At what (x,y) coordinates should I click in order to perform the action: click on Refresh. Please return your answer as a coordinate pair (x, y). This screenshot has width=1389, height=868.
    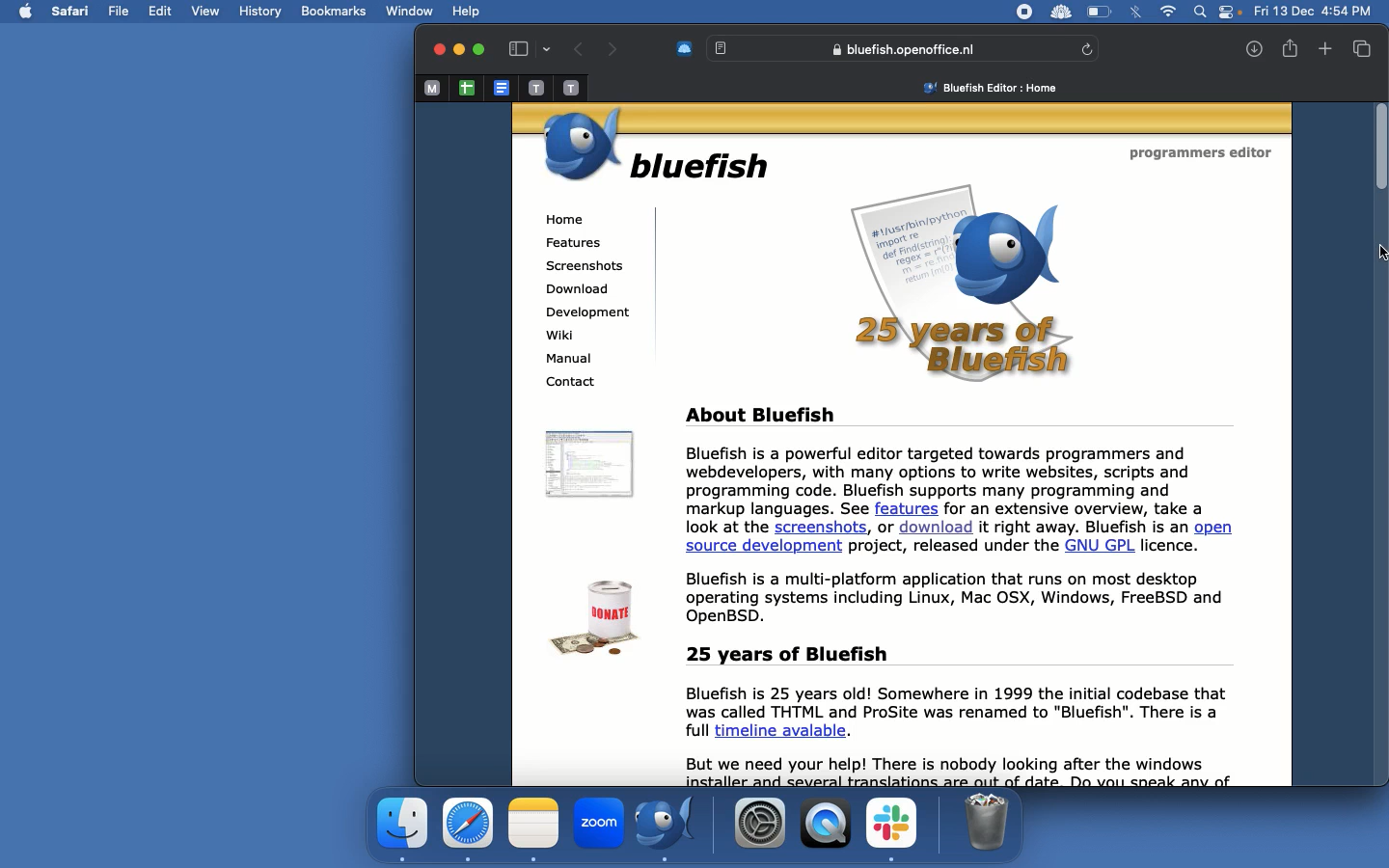
    Looking at the image, I should click on (1088, 48).